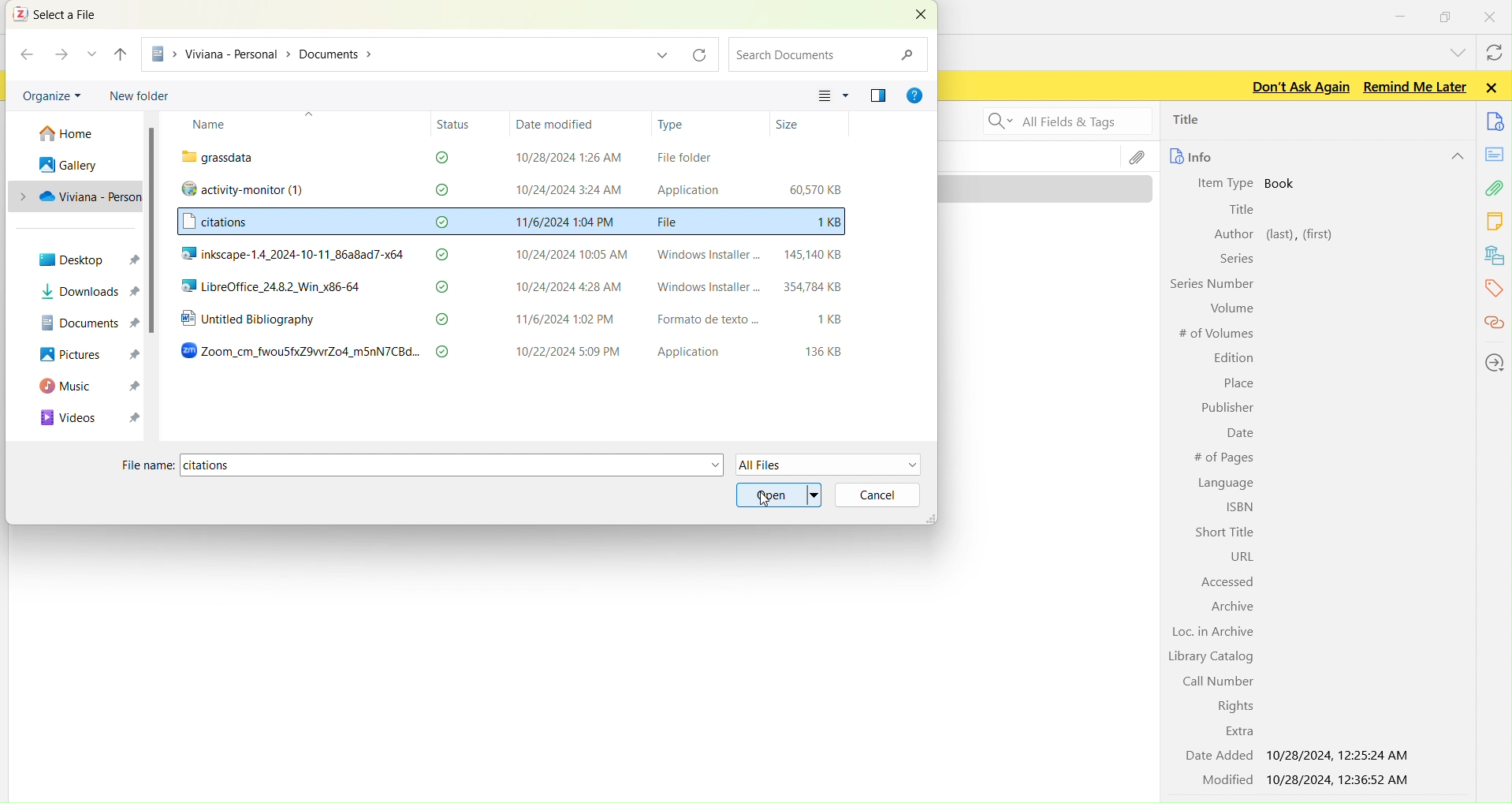 This screenshot has height=803, width=1512. Describe the element at coordinates (1492, 15) in the screenshot. I see `close` at that location.